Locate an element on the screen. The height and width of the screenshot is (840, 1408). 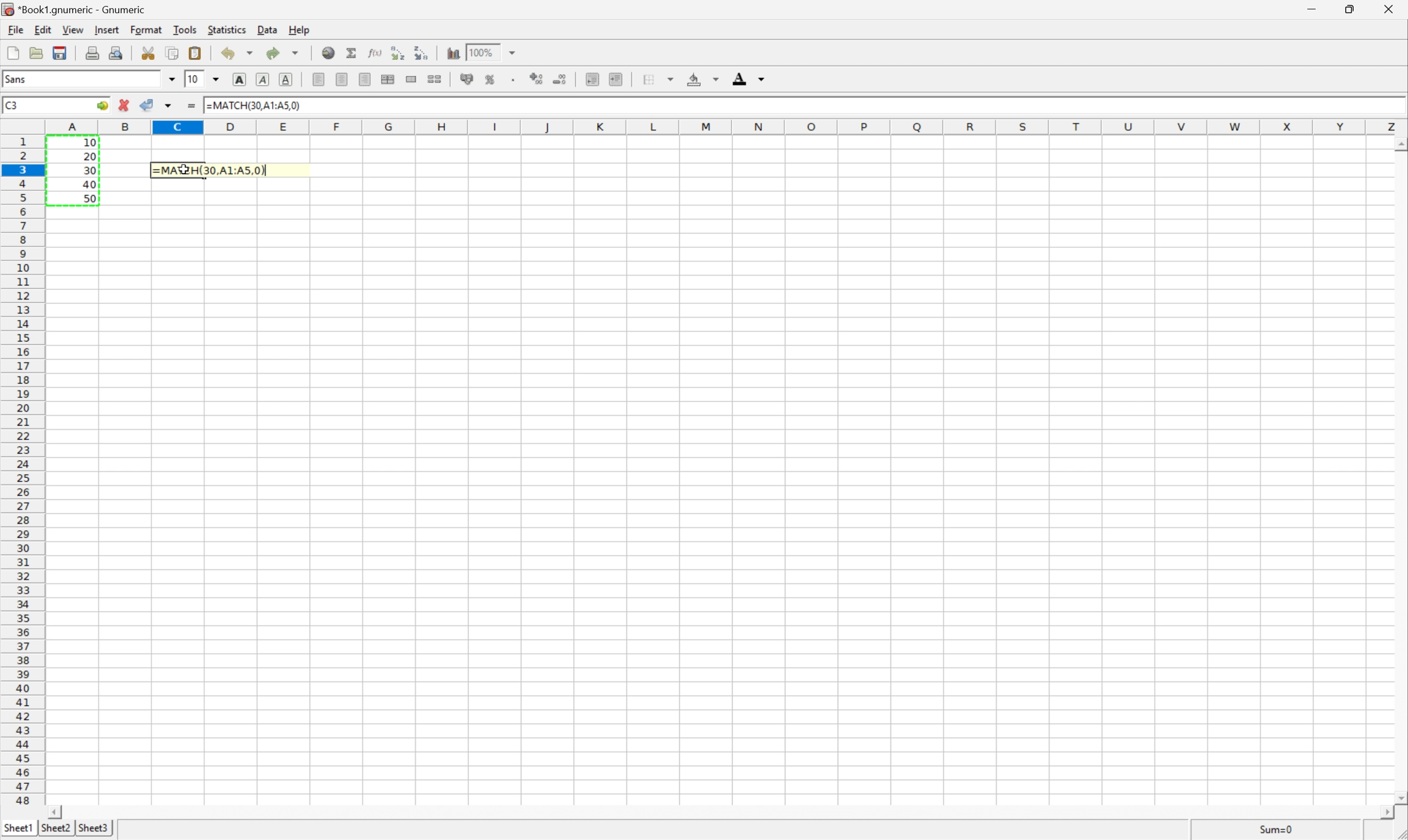
Italic is located at coordinates (264, 79).